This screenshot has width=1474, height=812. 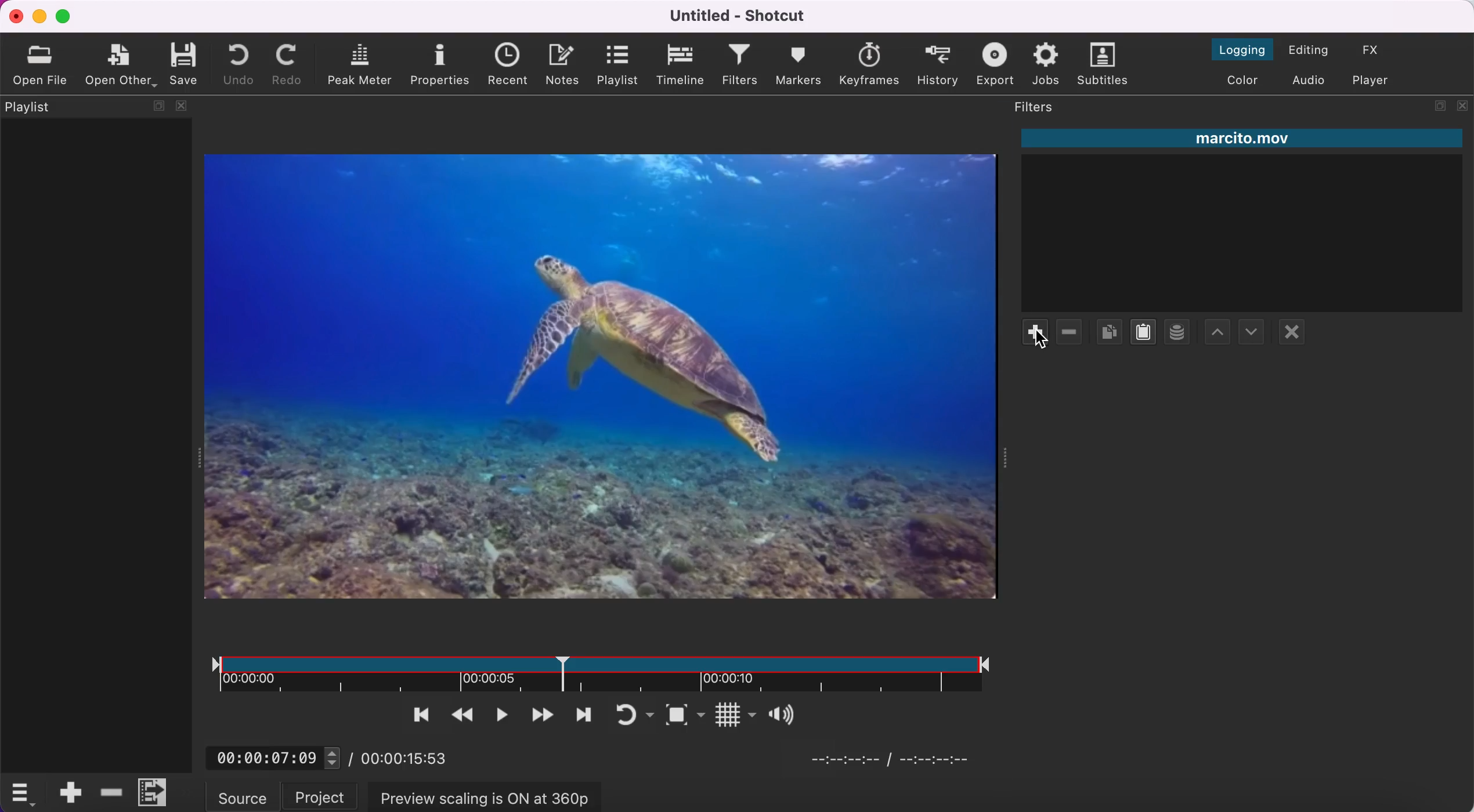 I want to click on jobs, so click(x=1043, y=66).